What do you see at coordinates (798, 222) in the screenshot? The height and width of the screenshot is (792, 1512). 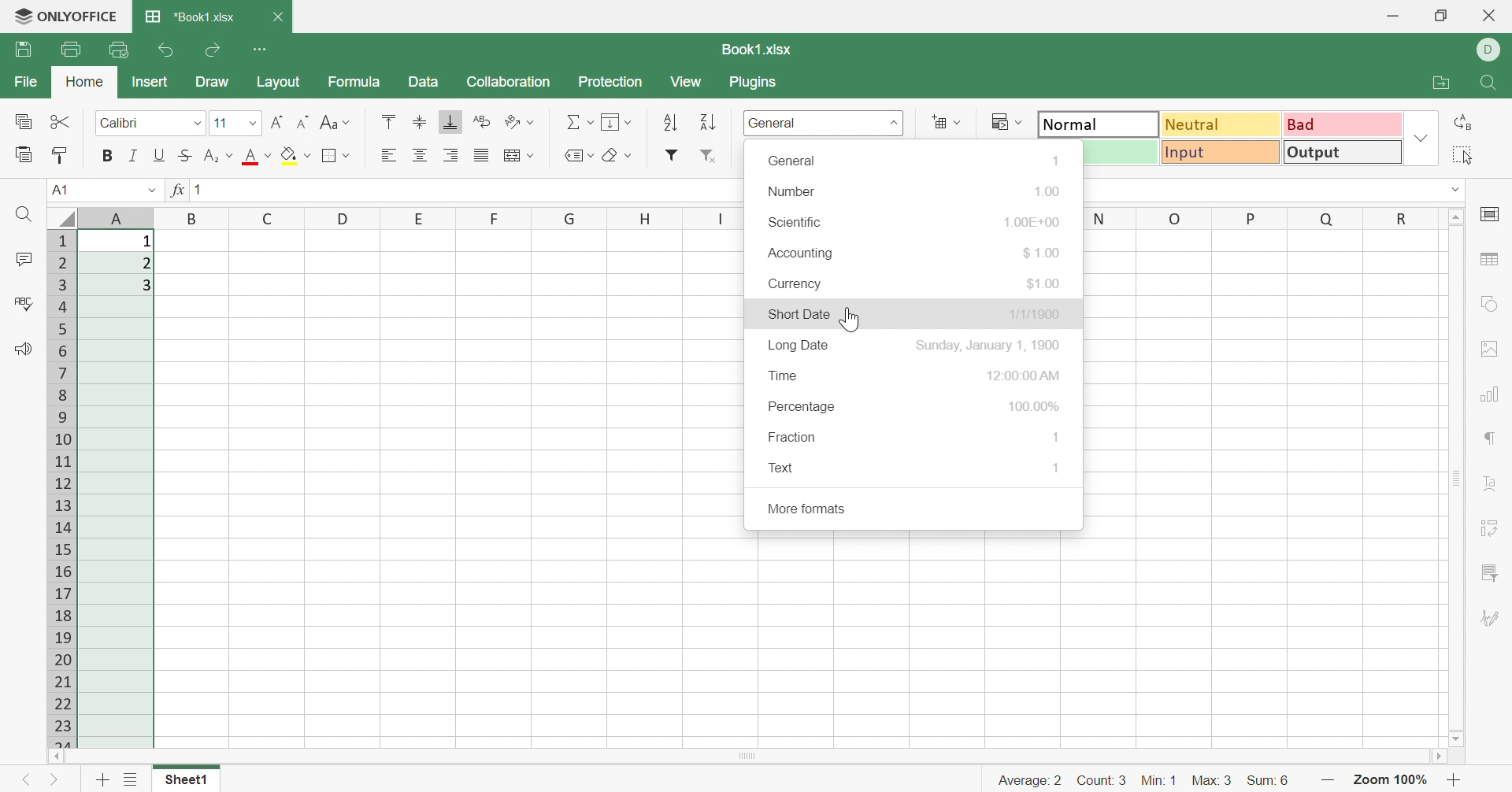 I see `Scientific` at bounding box center [798, 222].